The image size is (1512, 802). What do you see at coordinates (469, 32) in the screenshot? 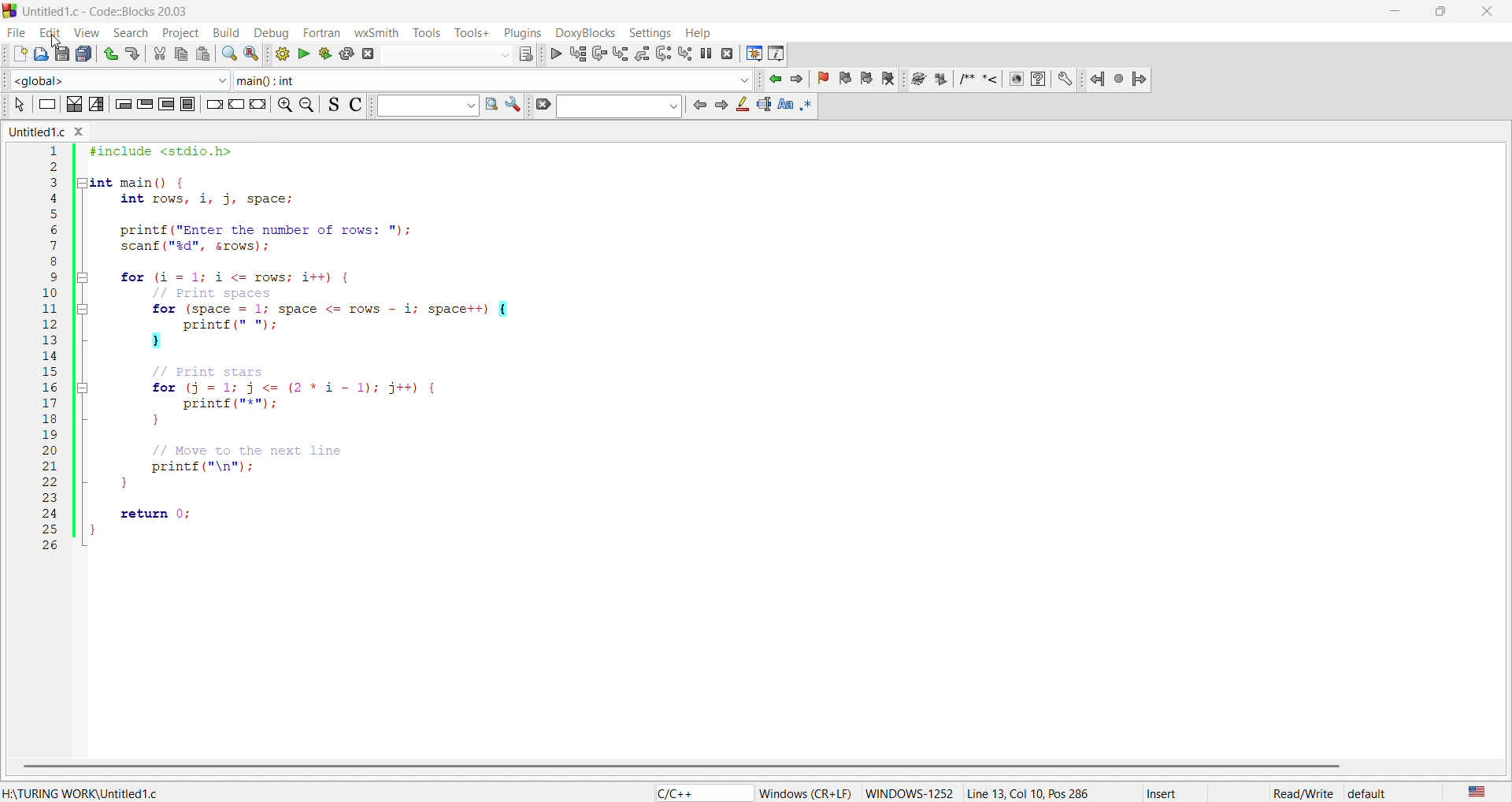
I see `tools+` at bounding box center [469, 32].